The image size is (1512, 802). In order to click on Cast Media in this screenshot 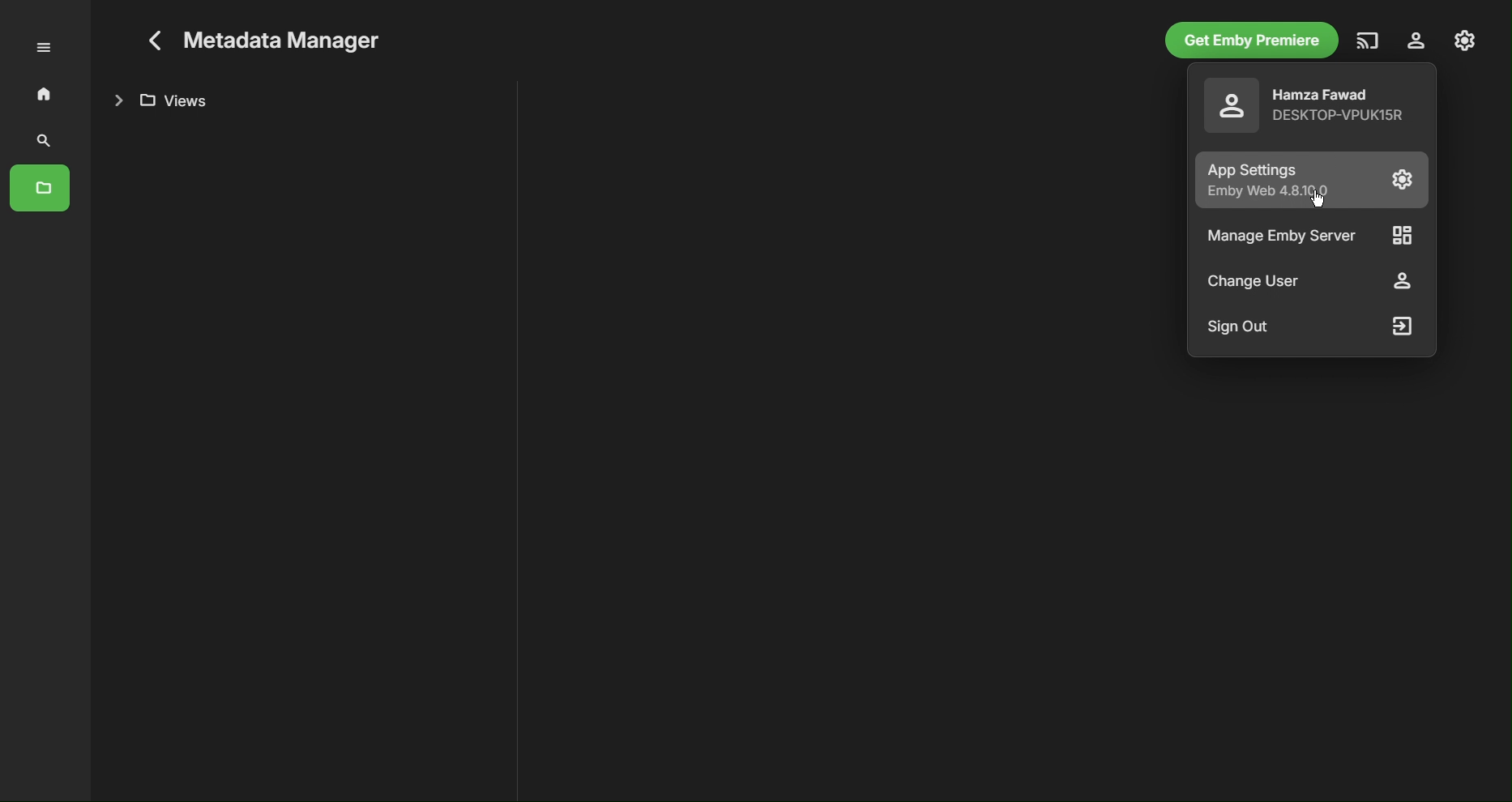, I will do `click(1367, 41)`.